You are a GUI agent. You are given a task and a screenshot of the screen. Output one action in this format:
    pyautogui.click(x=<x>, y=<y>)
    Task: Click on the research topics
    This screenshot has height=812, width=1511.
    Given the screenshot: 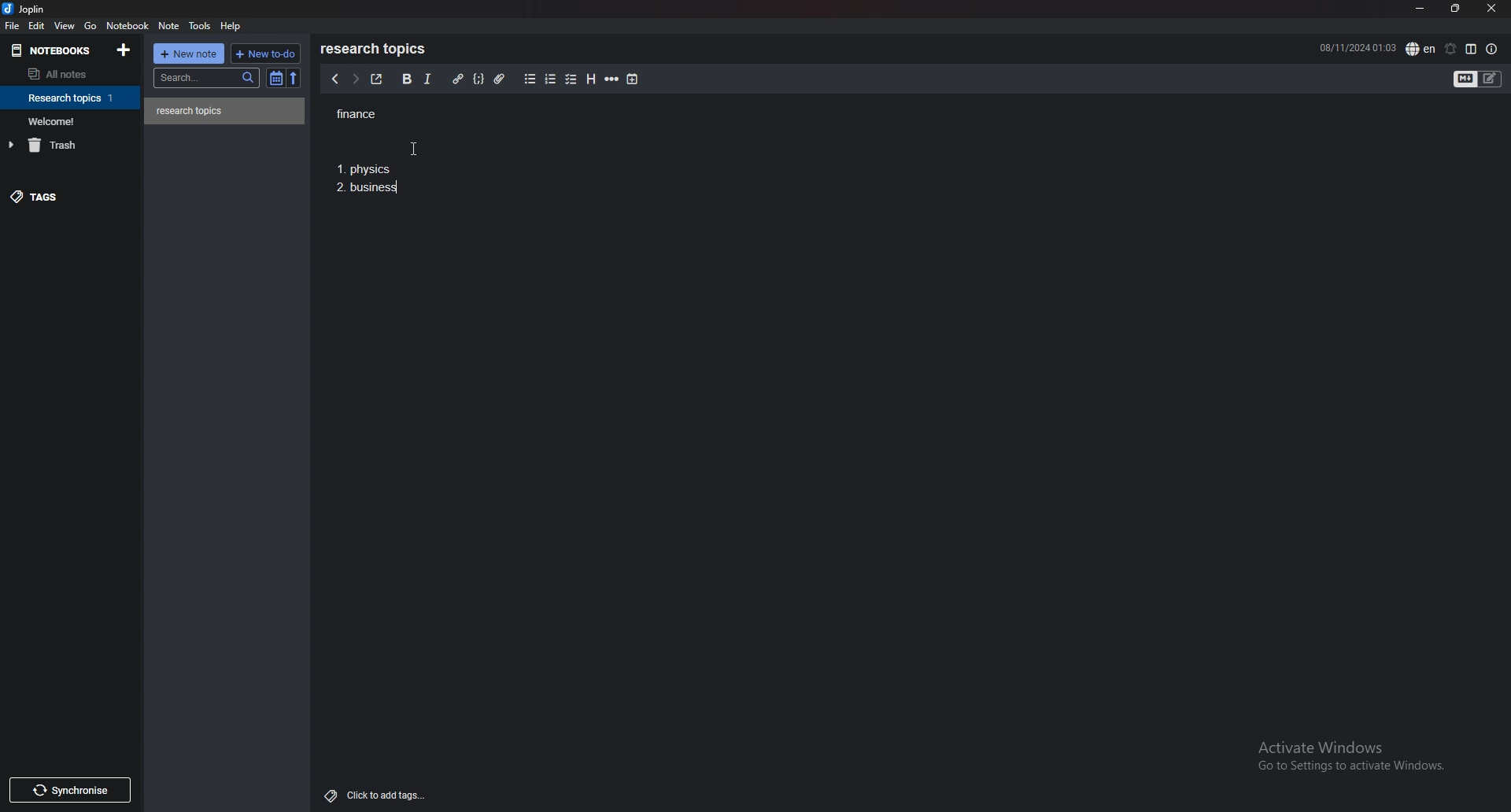 What is the action you would take?
    pyautogui.click(x=376, y=49)
    